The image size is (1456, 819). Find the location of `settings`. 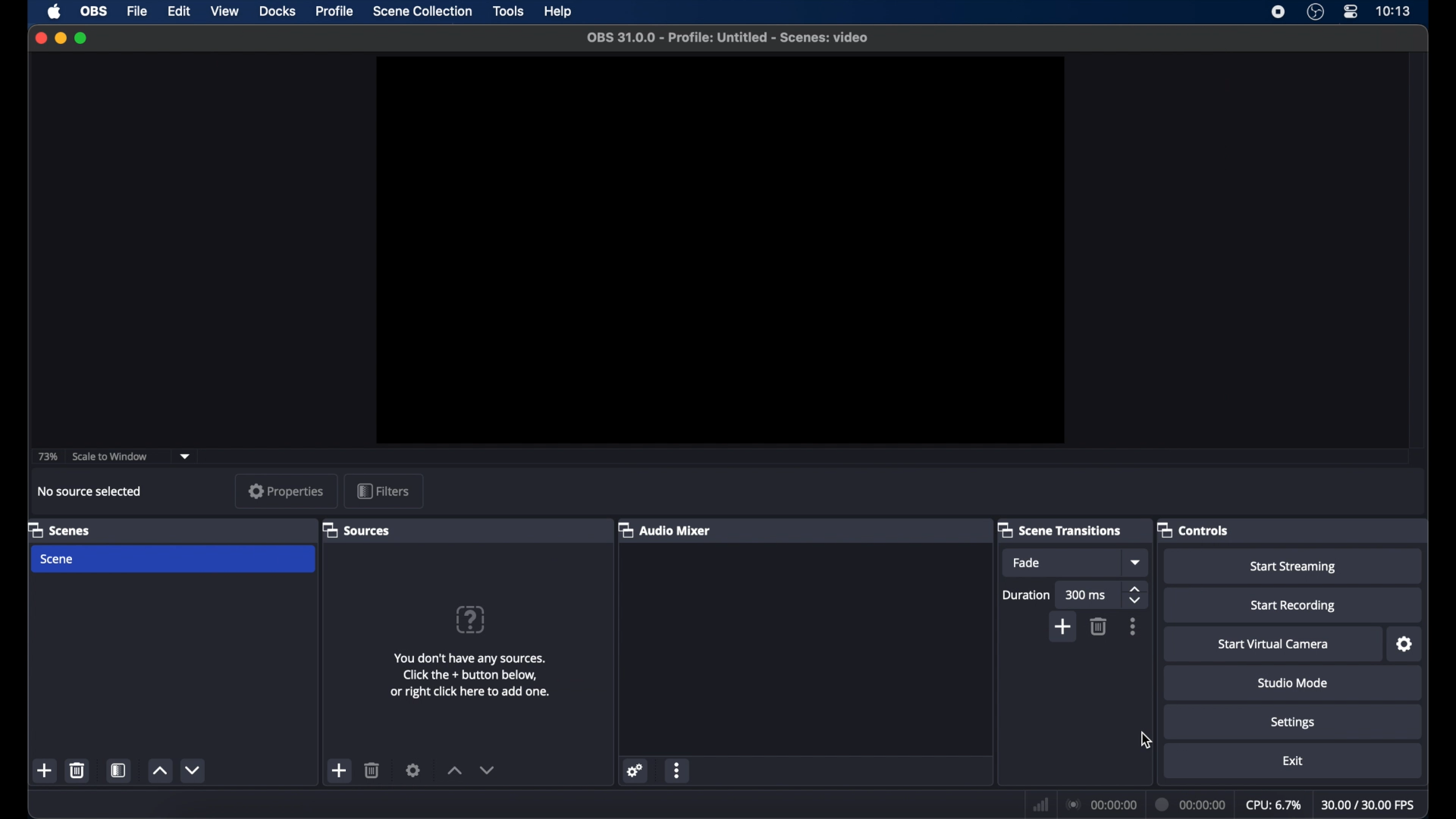

settings is located at coordinates (1406, 645).